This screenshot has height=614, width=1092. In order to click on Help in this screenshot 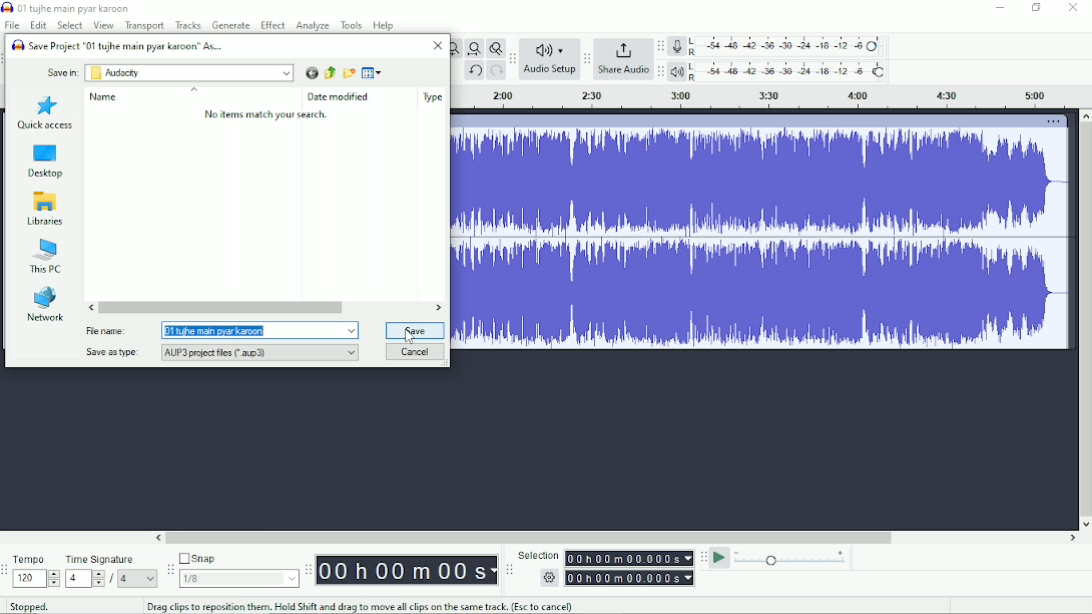, I will do `click(385, 24)`.